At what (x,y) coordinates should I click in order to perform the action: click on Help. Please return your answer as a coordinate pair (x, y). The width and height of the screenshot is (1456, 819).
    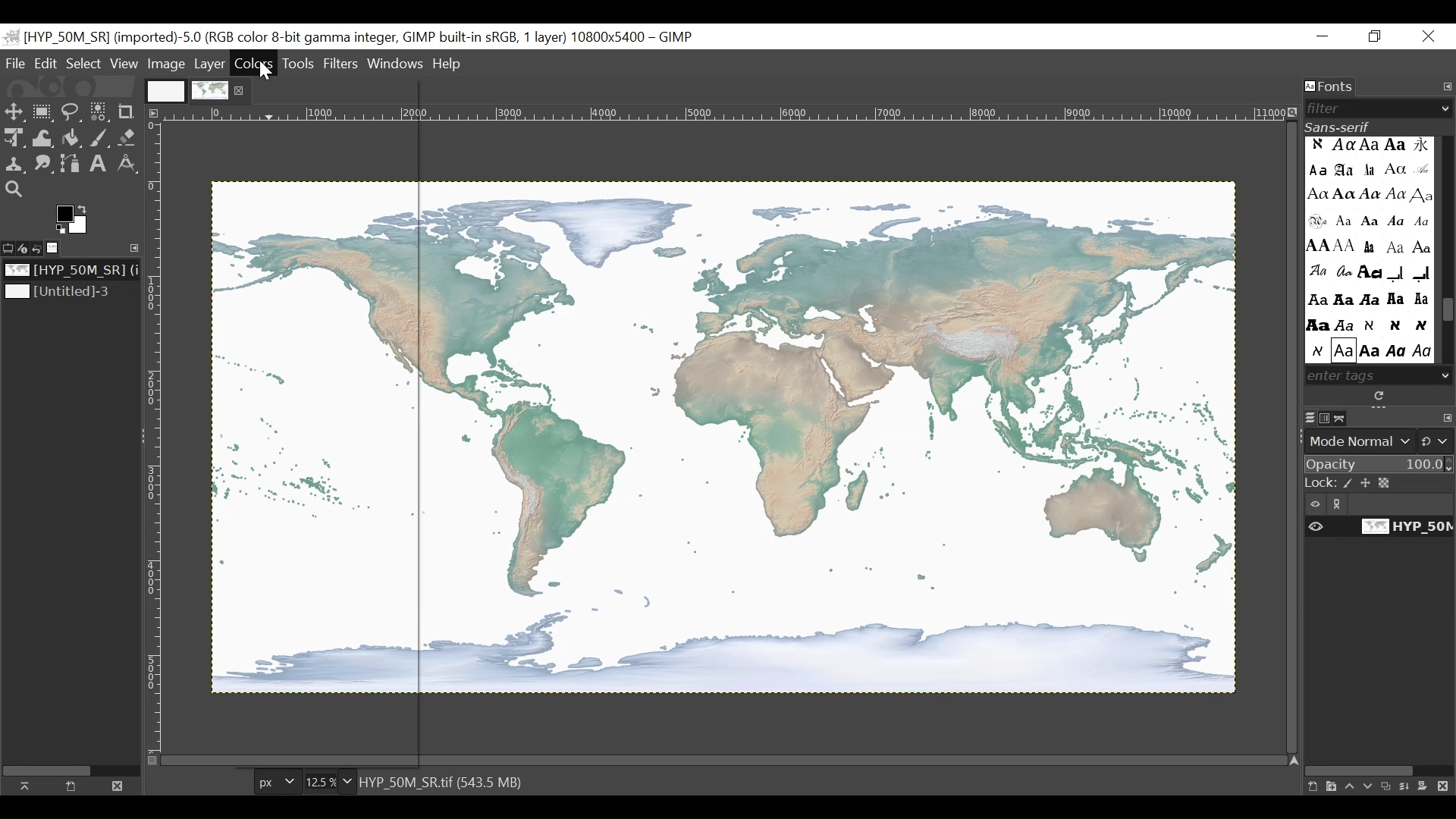
    Looking at the image, I should click on (447, 65).